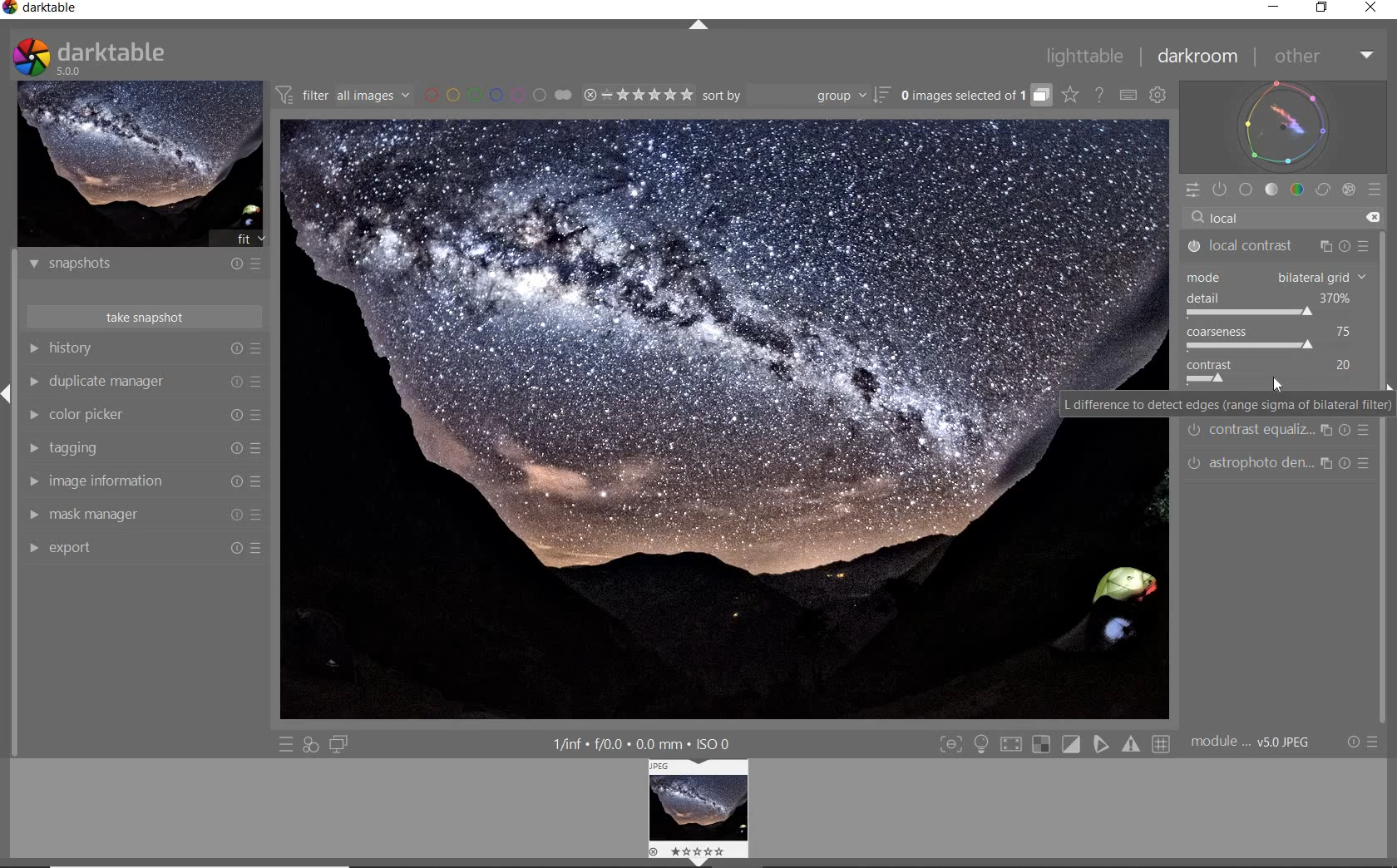 This screenshot has width=1397, height=868. I want to click on Export, so click(72, 548).